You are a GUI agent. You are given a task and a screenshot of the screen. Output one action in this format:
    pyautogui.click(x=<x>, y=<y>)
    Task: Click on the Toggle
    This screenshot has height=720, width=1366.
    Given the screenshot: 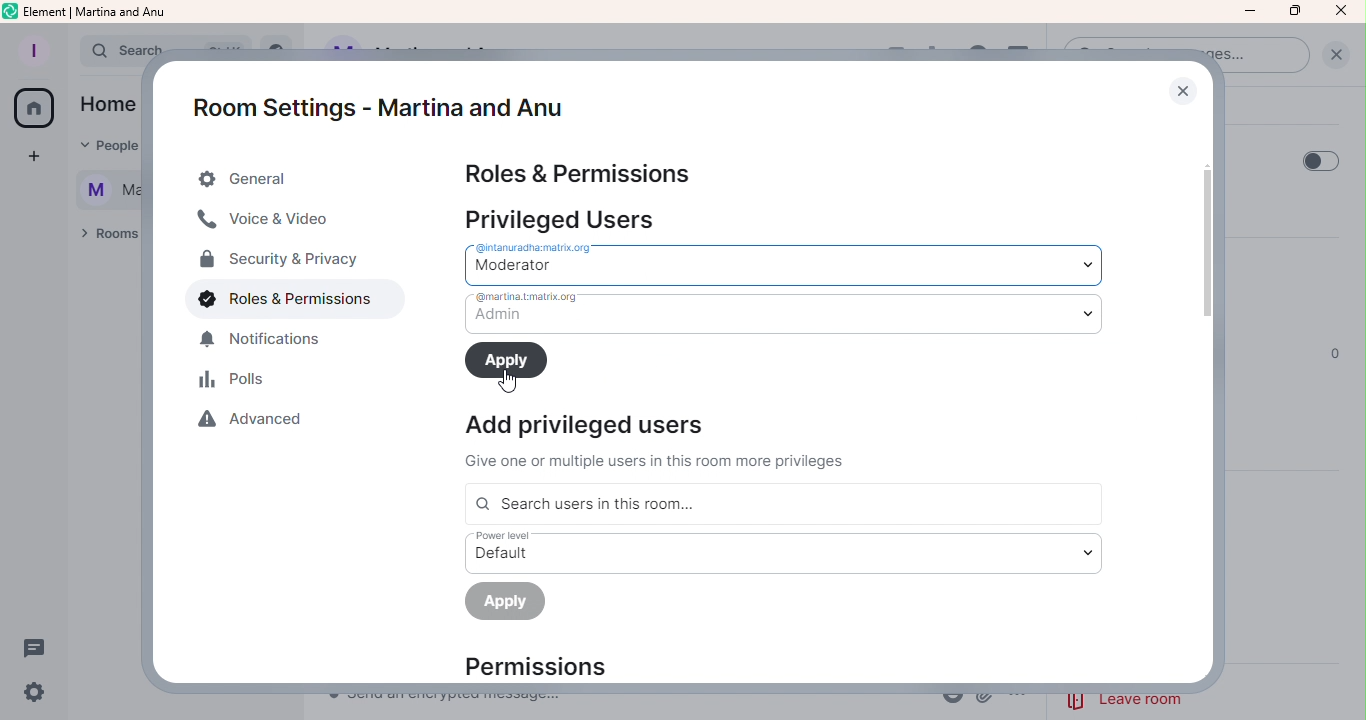 What is the action you would take?
    pyautogui.click(x=1320, y=159)
    